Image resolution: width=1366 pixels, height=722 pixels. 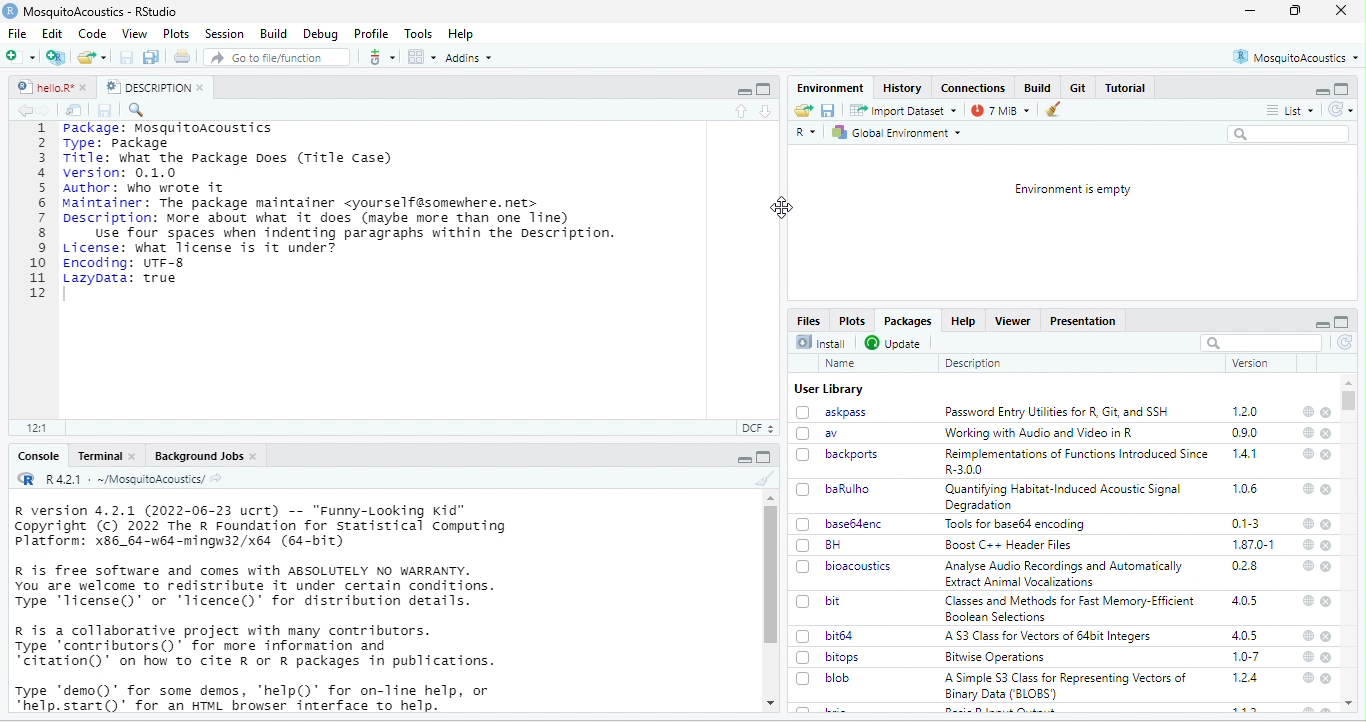 I want to click on help, so click(x=1307, y=543).